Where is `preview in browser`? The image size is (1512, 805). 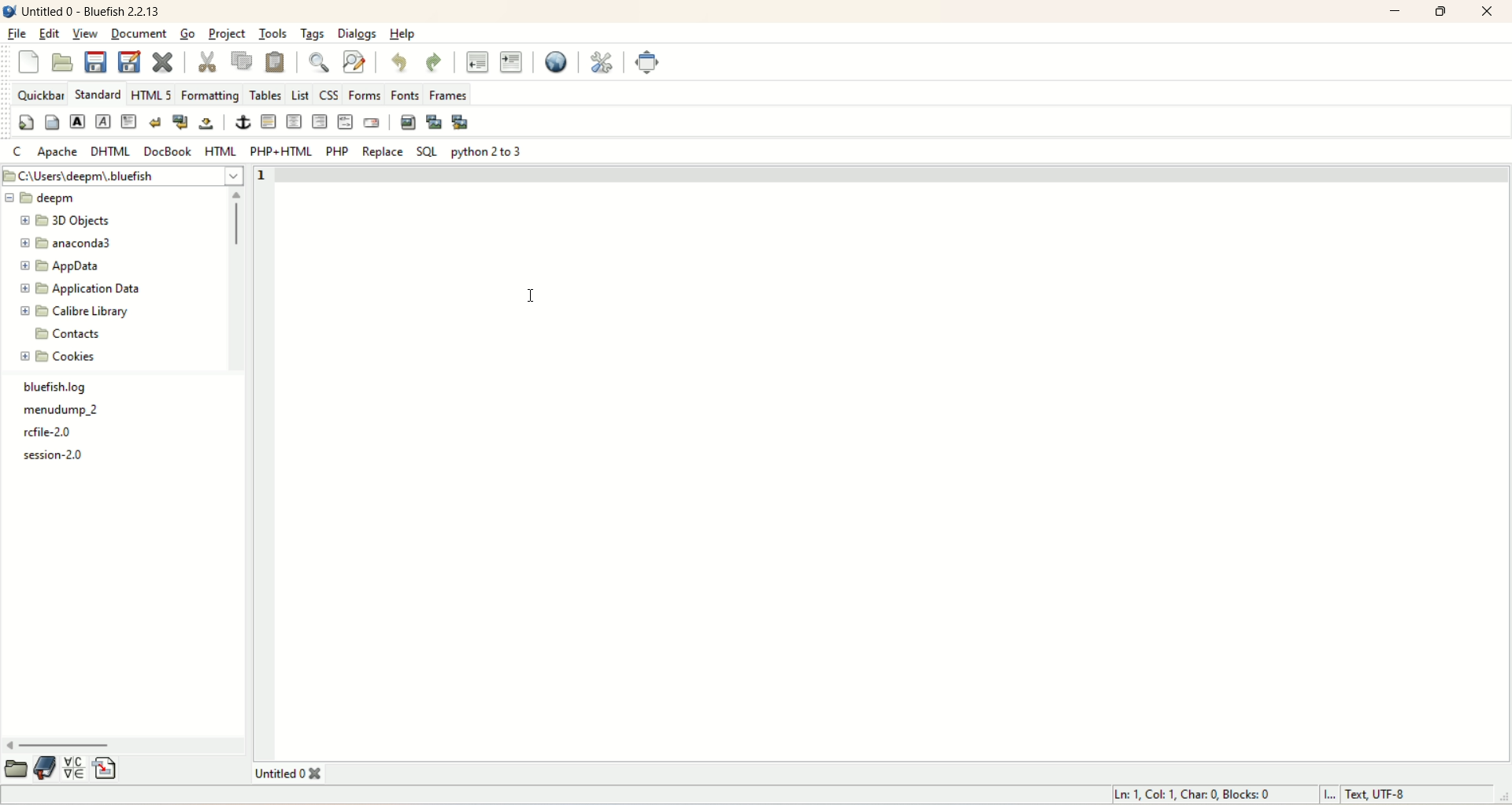 preview in browser is located at coordinates (557, 62).